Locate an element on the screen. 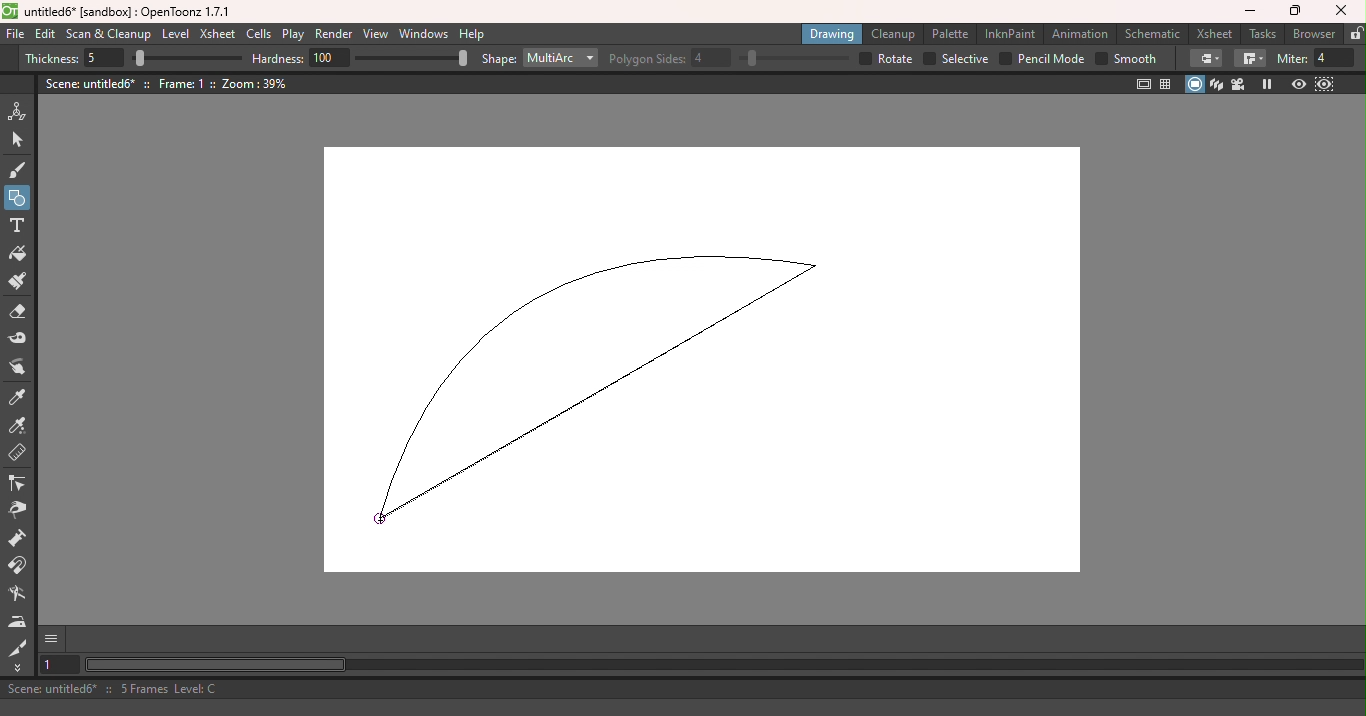 This screenshot has height=716, width=1366. Style picker tool is located at coordinates (21, 398).